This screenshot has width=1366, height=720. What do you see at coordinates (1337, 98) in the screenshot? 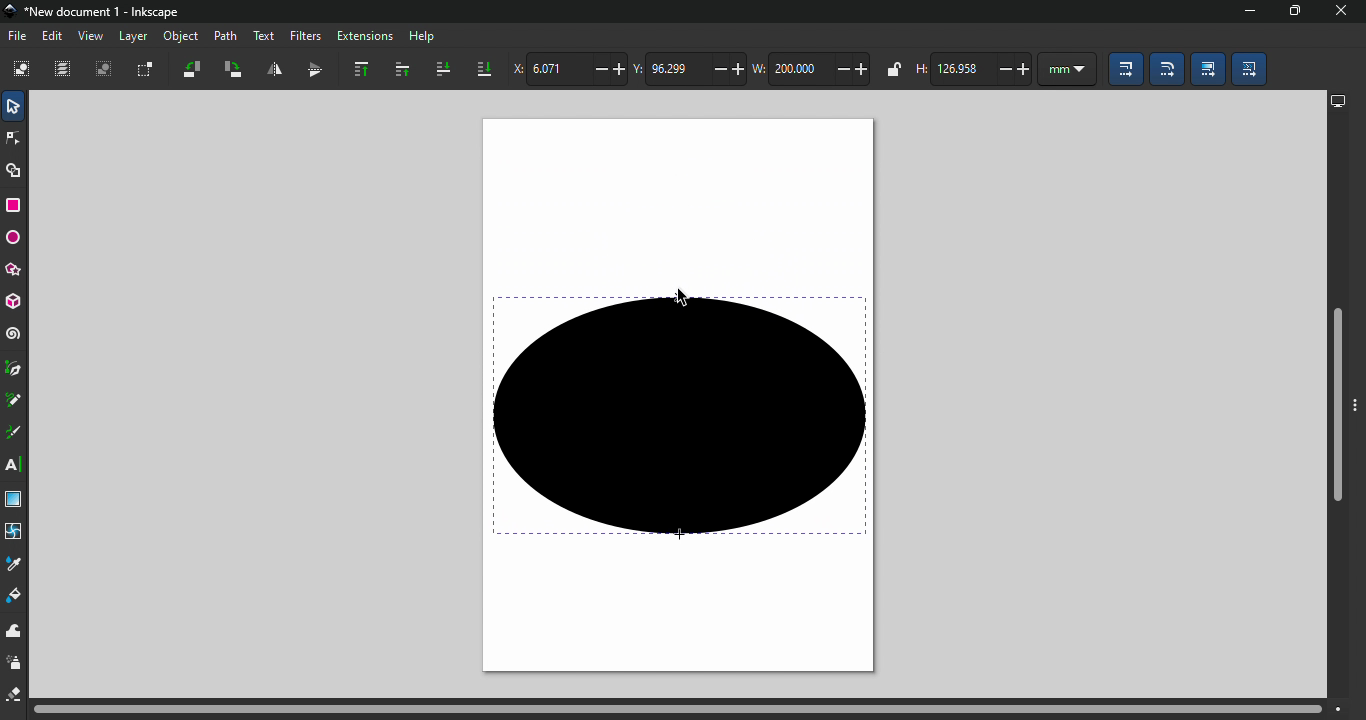
I see `display options` at bounding box center [1337, 98].